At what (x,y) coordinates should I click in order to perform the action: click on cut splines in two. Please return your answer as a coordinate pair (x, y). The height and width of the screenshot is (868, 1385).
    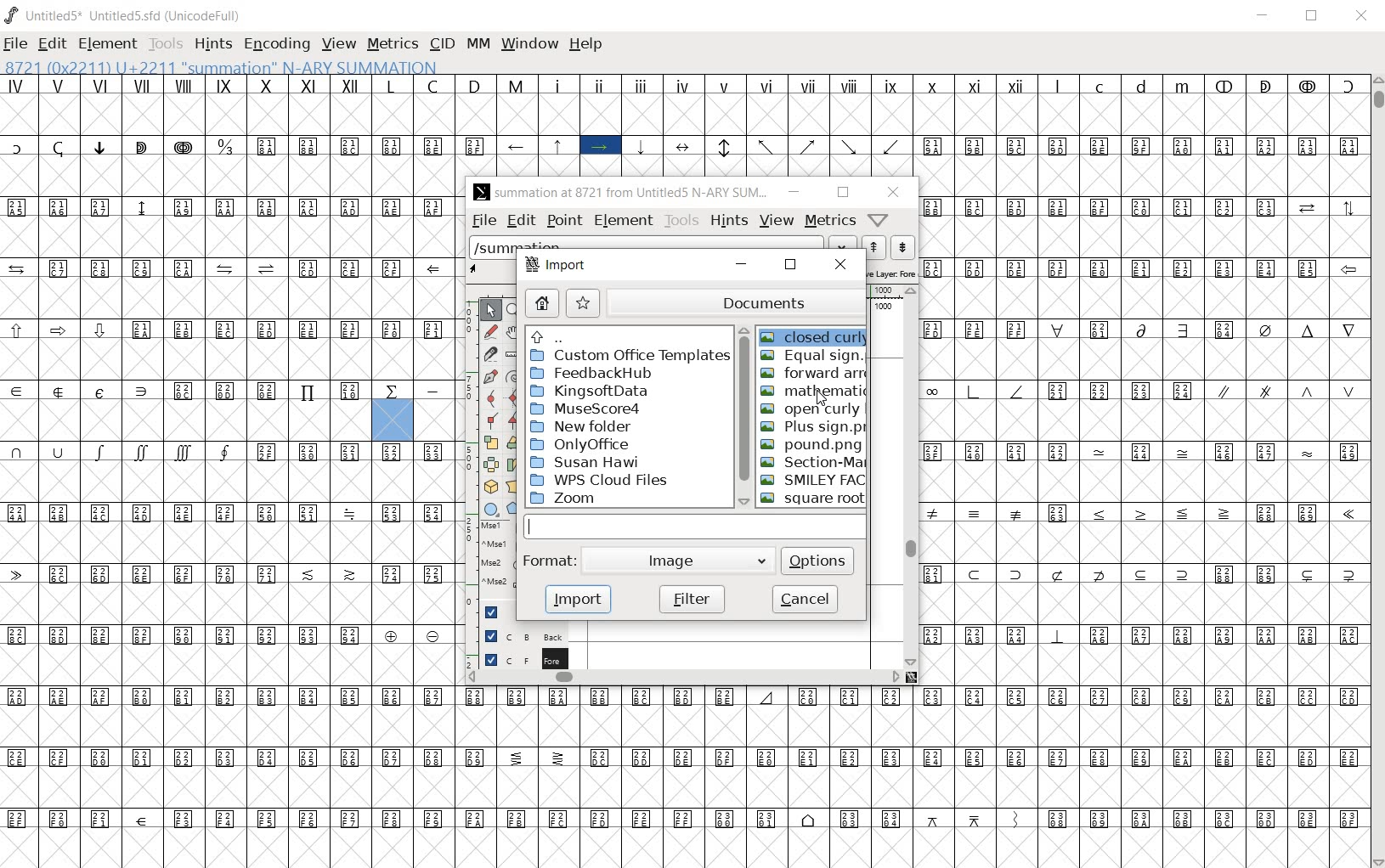
    Looking at the image, I should click on (489, 352).